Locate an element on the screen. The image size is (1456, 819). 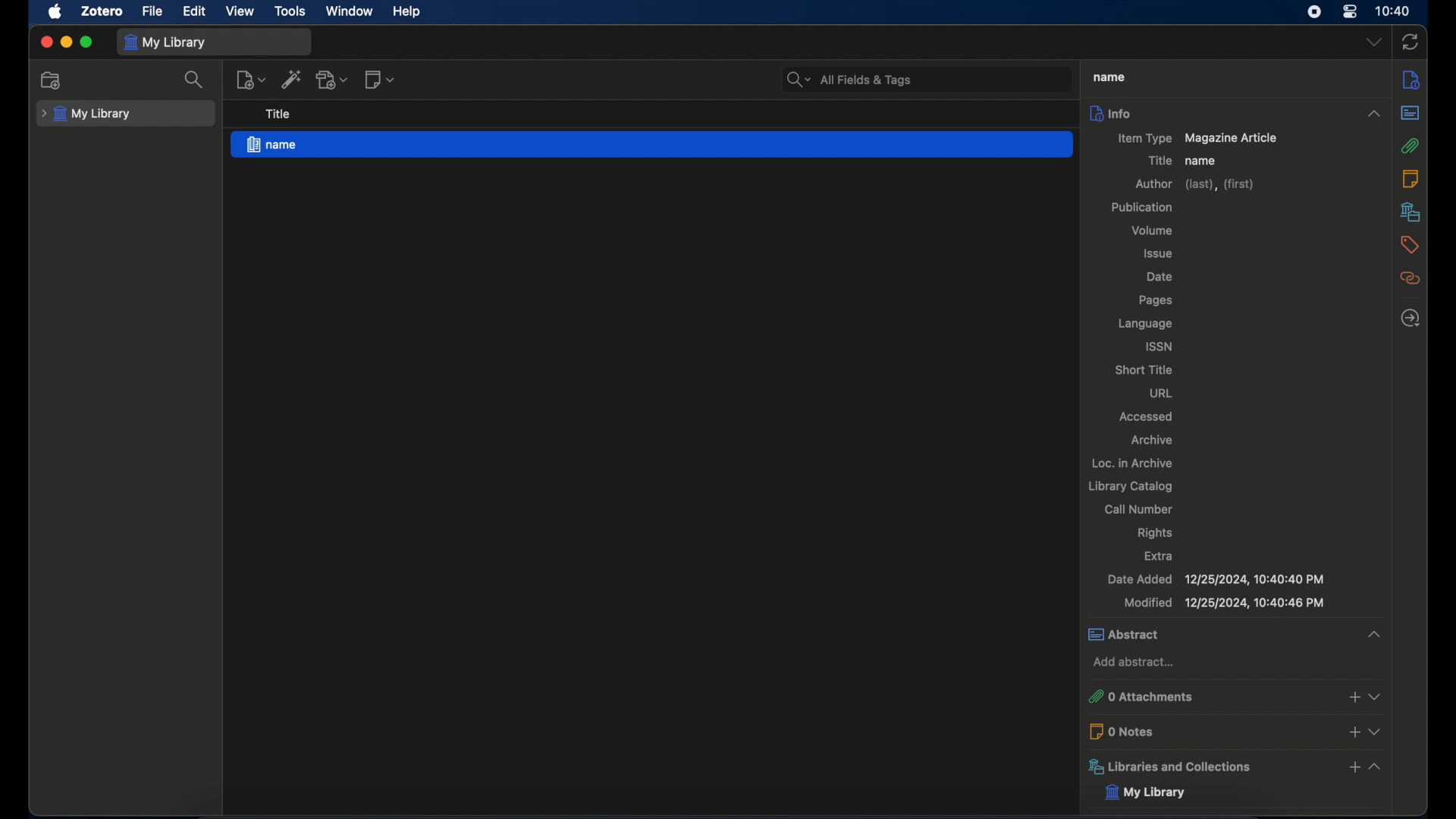
date is located at coordinates (1162, 277).